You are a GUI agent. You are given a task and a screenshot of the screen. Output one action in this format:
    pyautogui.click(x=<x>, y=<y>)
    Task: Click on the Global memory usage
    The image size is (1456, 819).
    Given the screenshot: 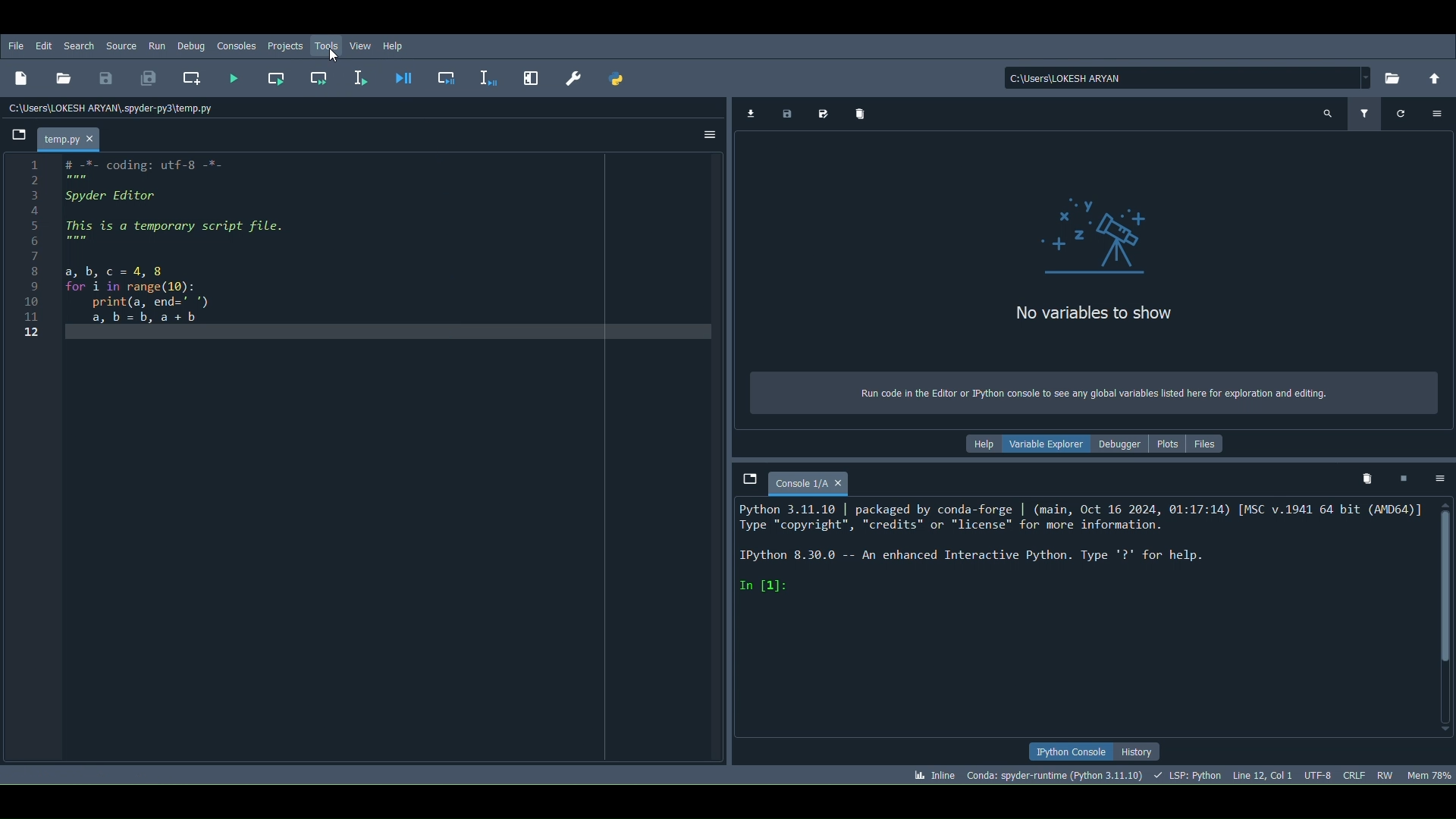 What is the action you would take?
    pyautogui.click(x=1429, y=773)
    